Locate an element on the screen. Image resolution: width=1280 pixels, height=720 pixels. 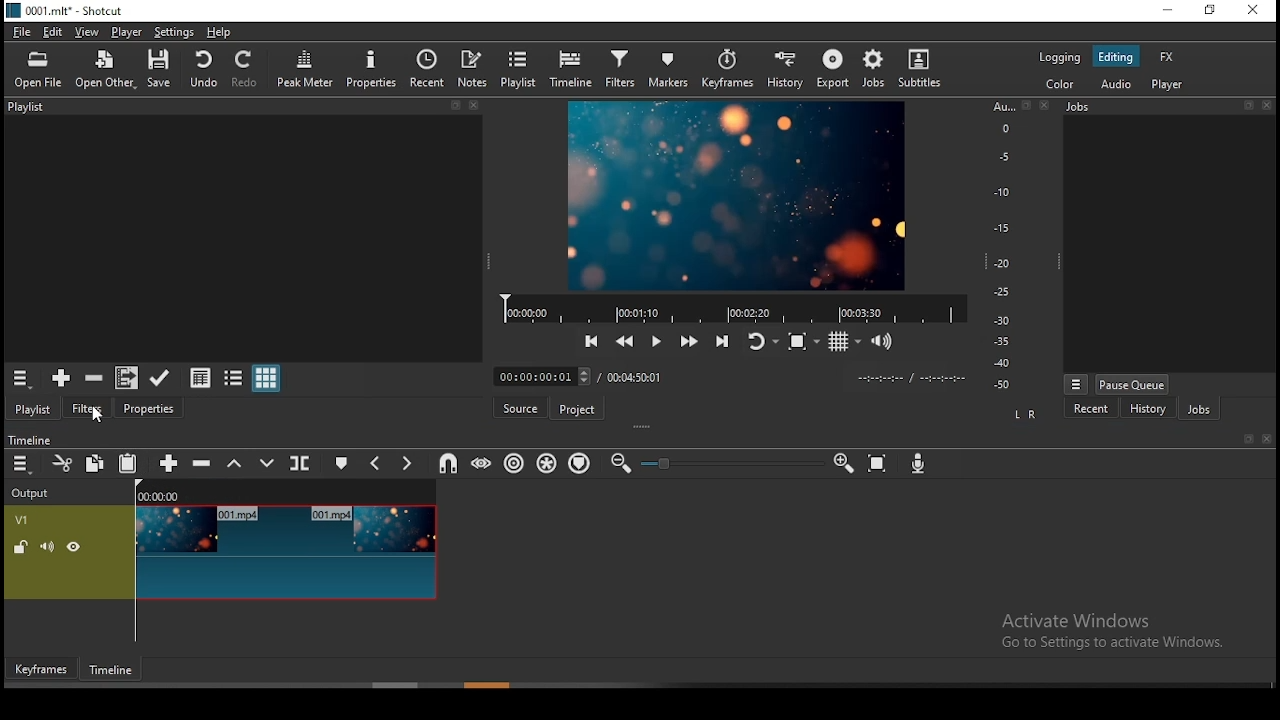
Jobs is located at coordinates (1170, 108).